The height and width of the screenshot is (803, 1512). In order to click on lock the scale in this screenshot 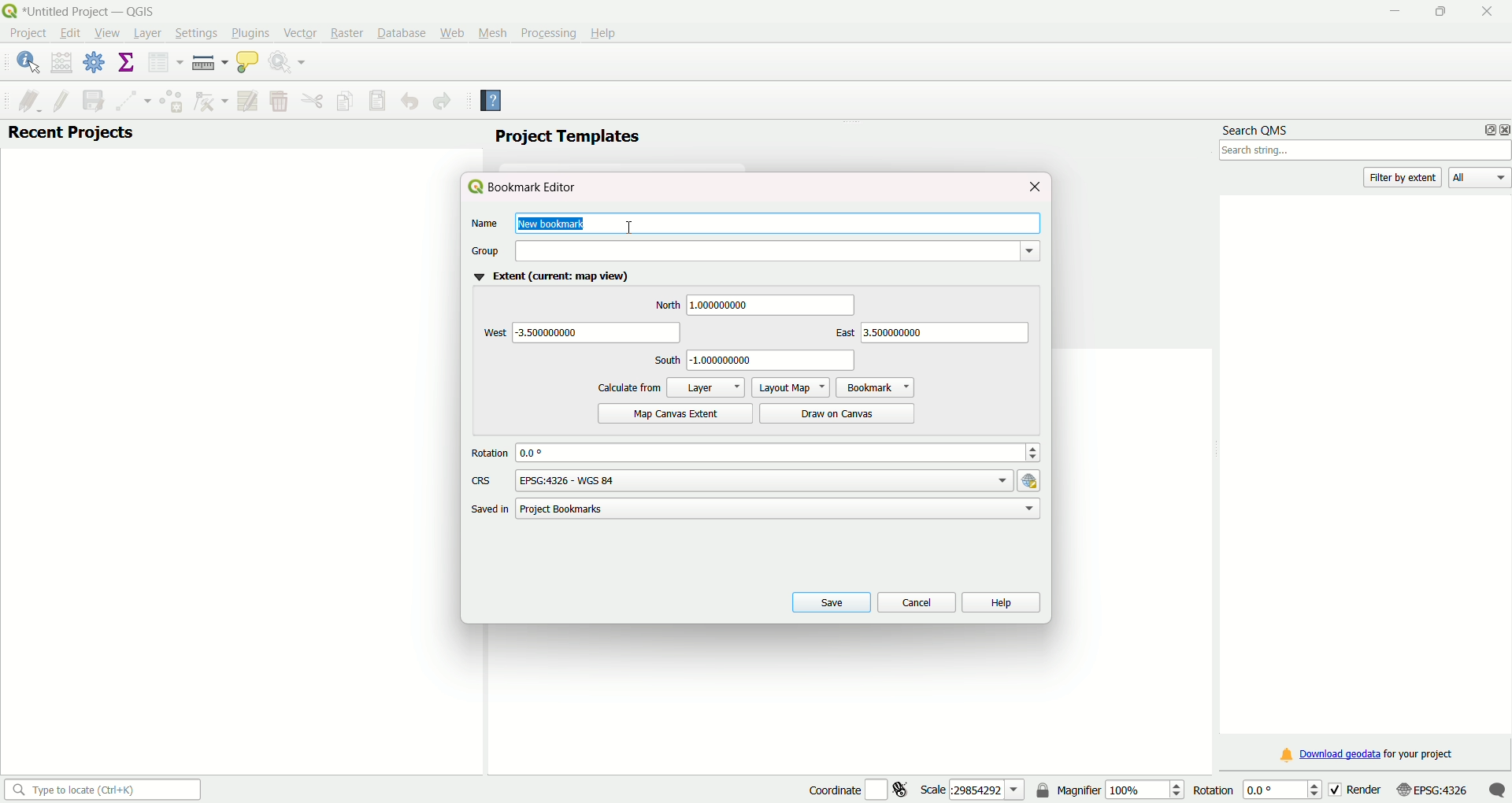, I will do `click(1043, 791)`.